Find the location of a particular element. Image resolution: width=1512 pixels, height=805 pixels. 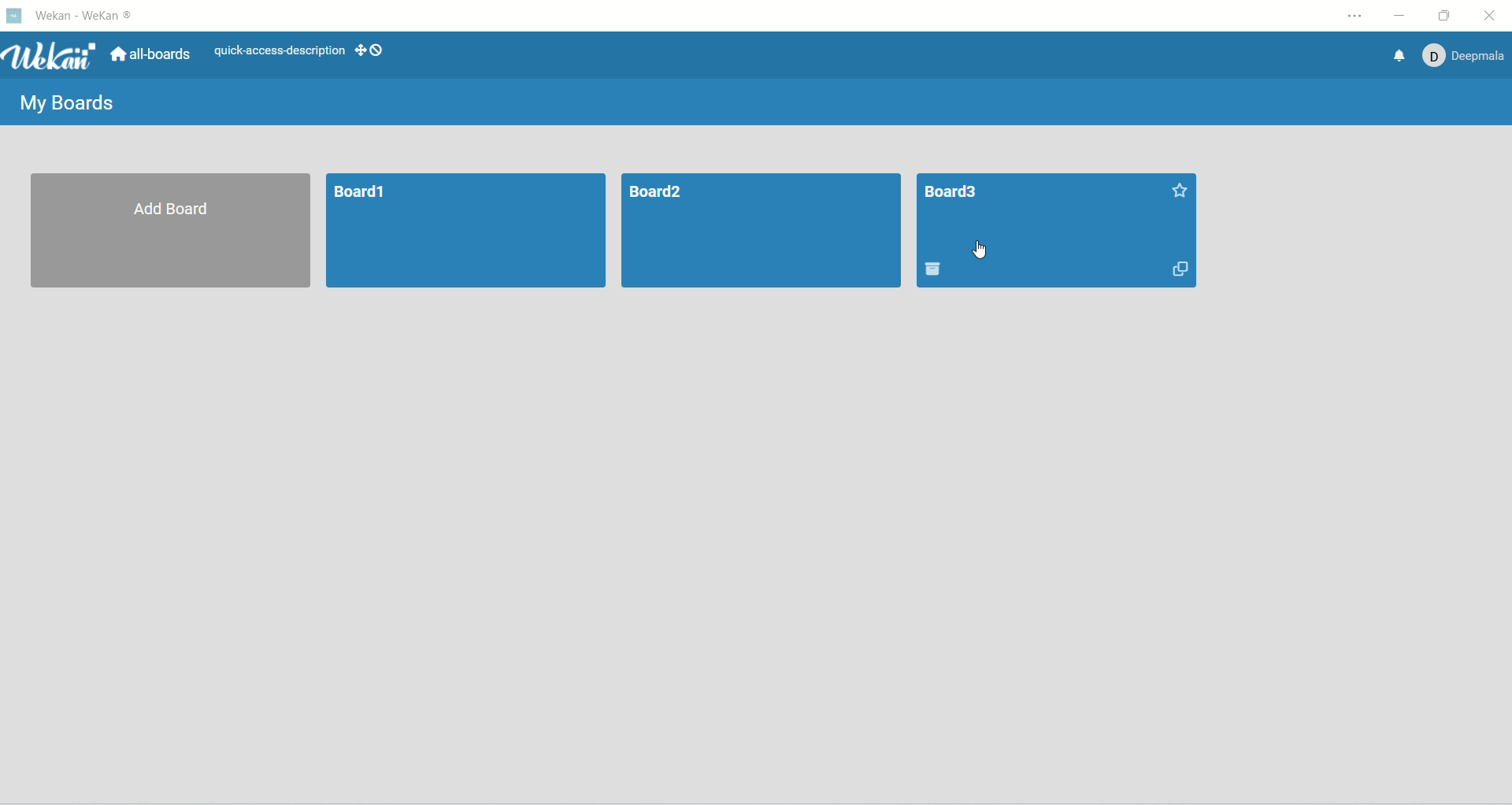

cursor is located at coordinates (980, 250).